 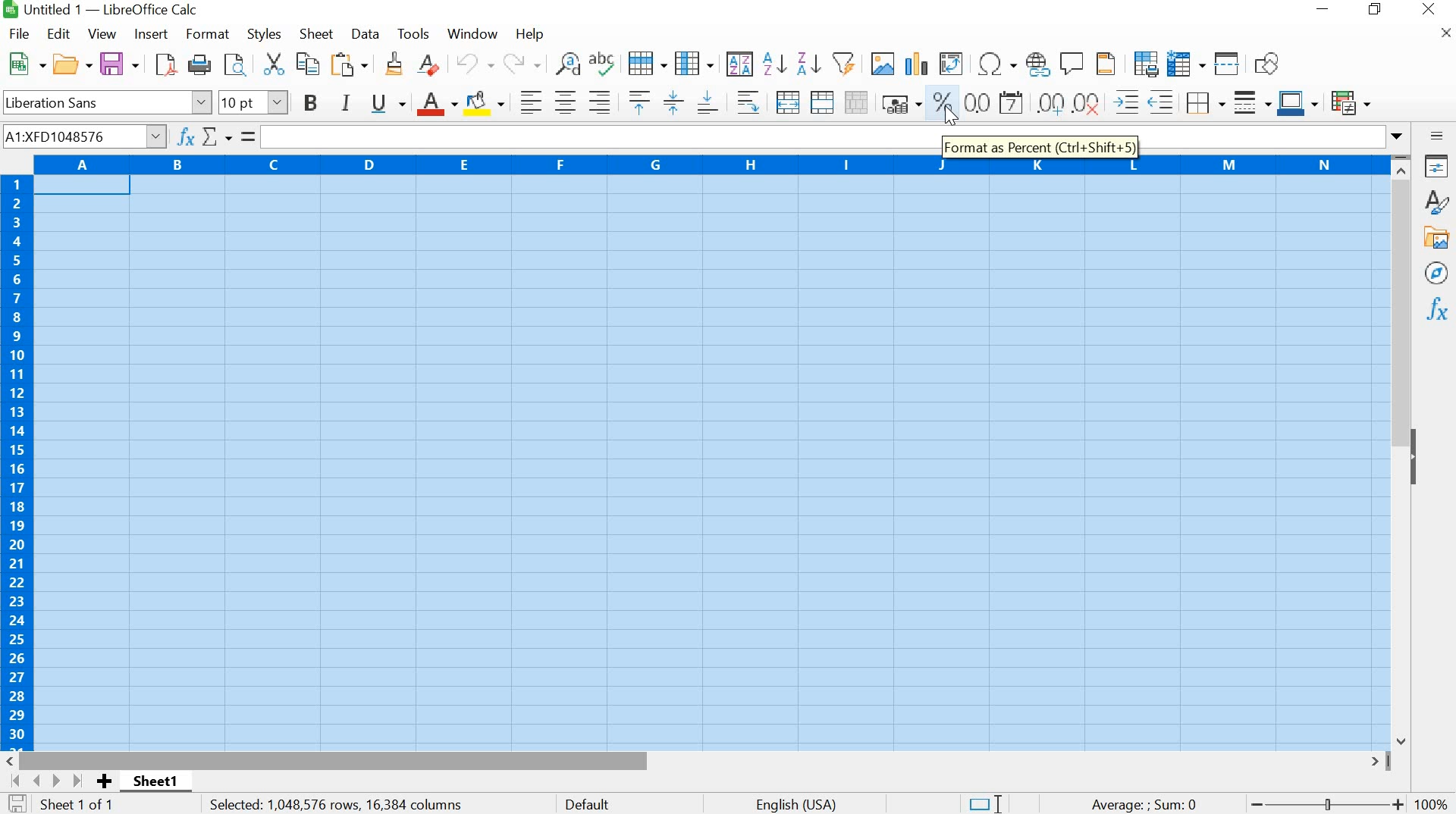 I want to click on ROWS, so click(x=15, y=461).